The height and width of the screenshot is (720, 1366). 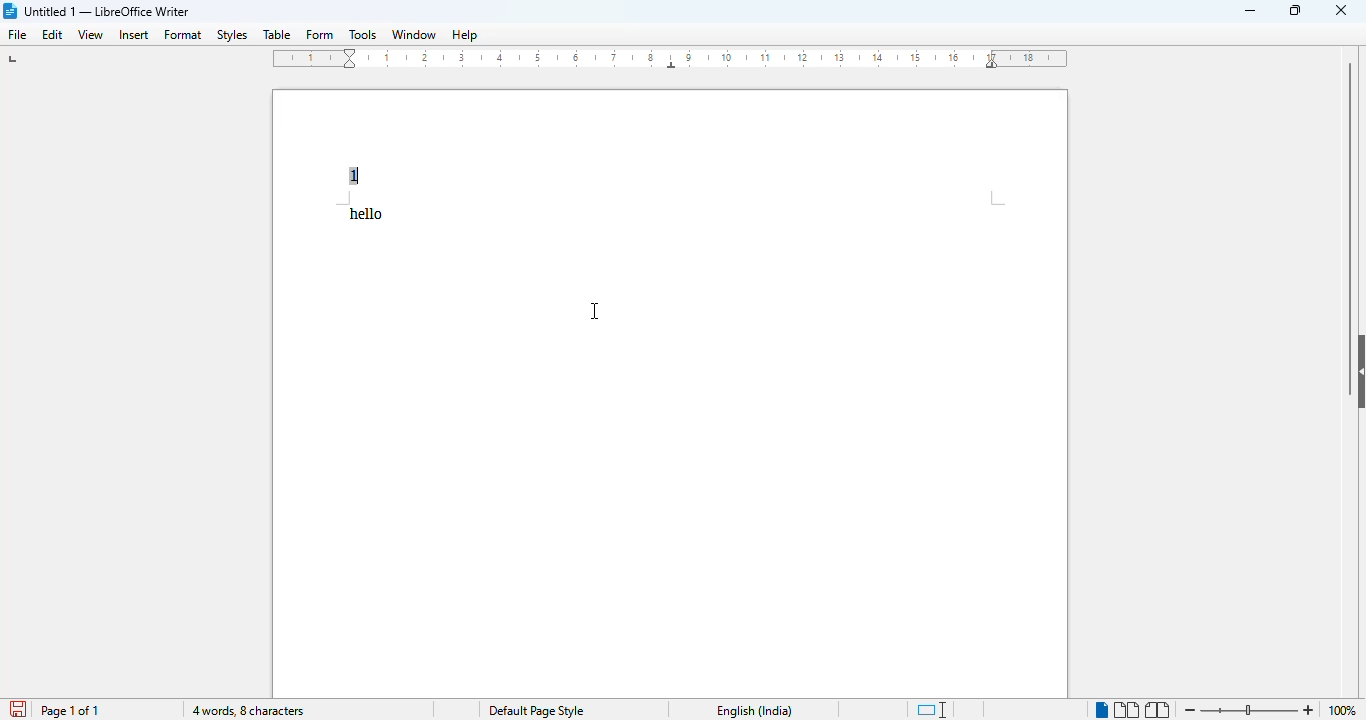 What do you see at coordinates (362, 34) in the screenshot?
I see `tools` at bounding box center [362, 34].